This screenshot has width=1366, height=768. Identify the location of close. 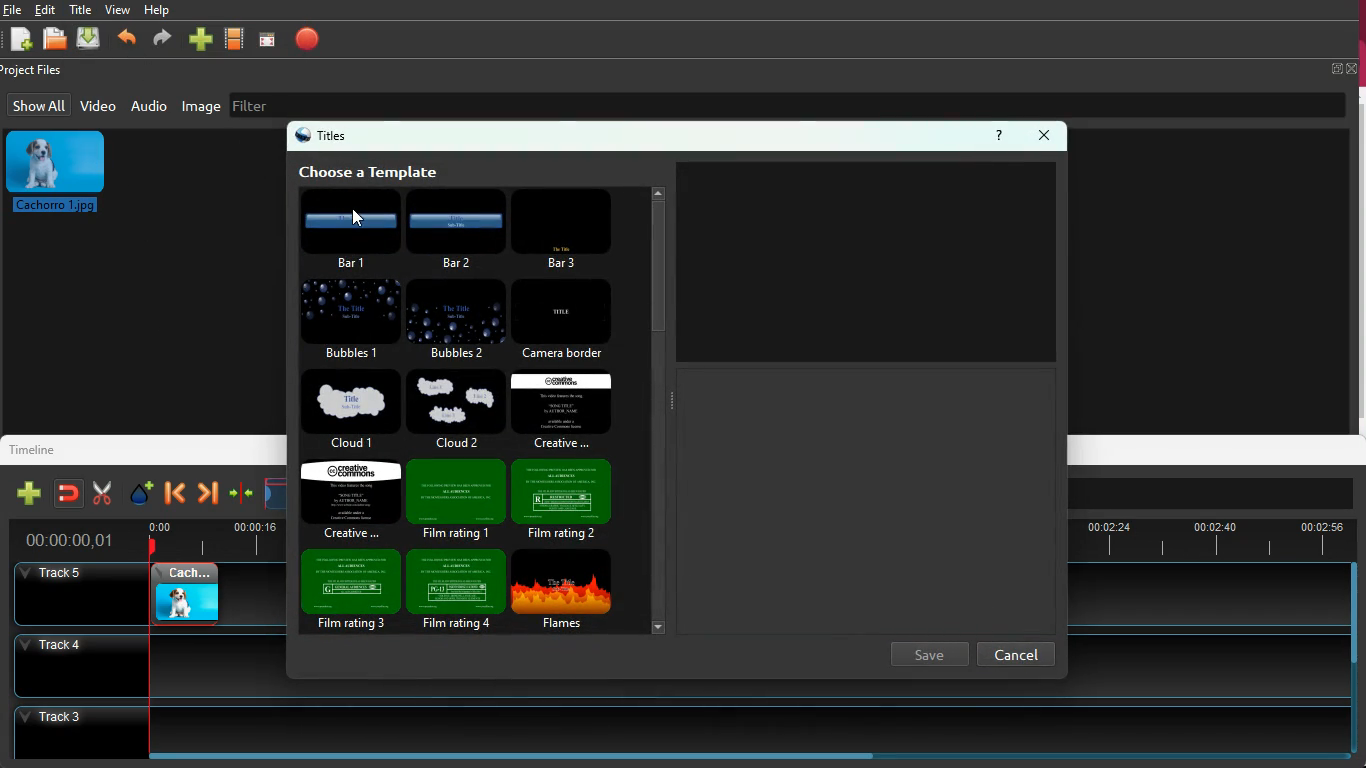
(1046, 136).